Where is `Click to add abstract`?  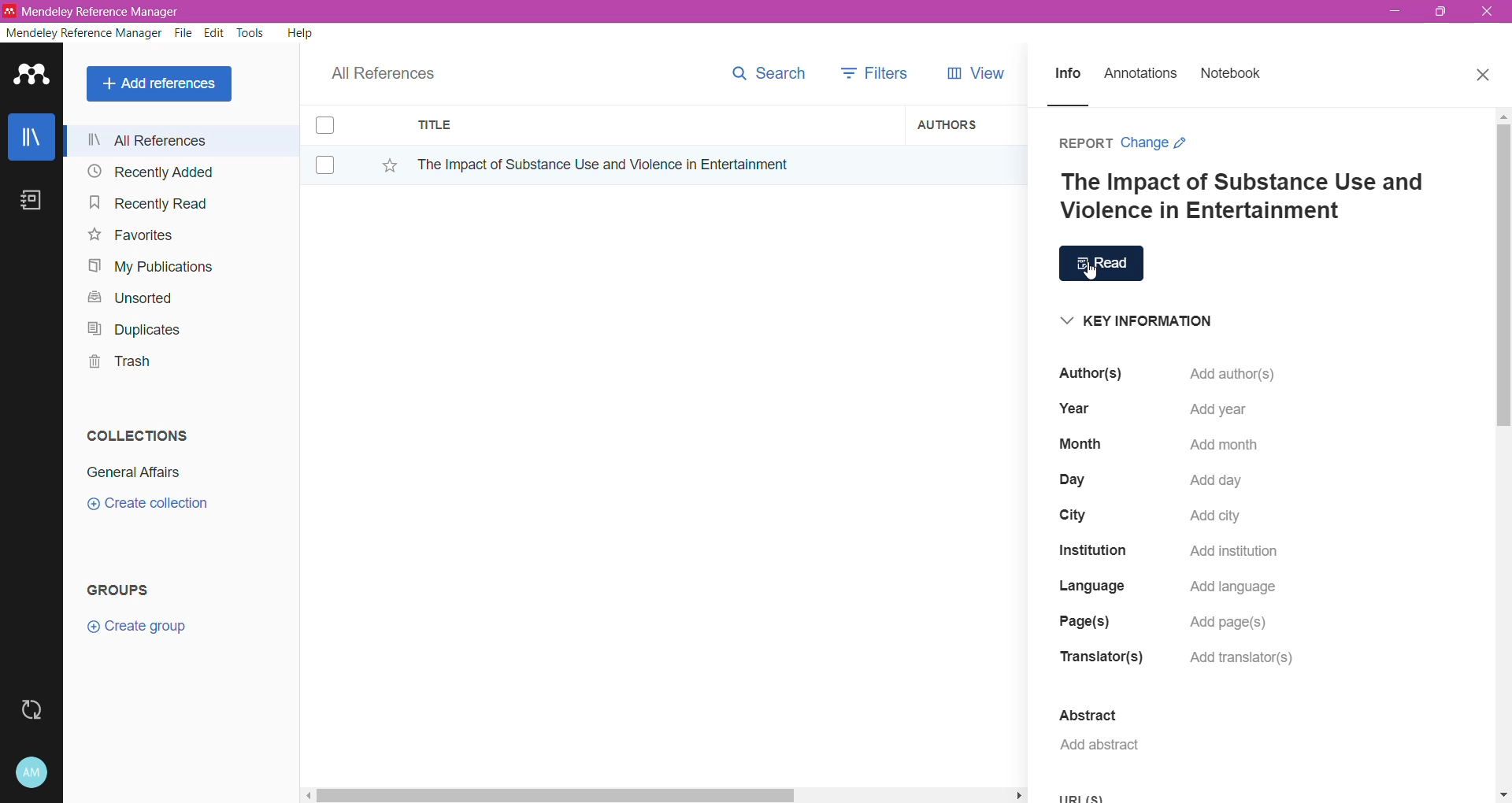 Click to add abstract is located at coordinates (1243, 372).